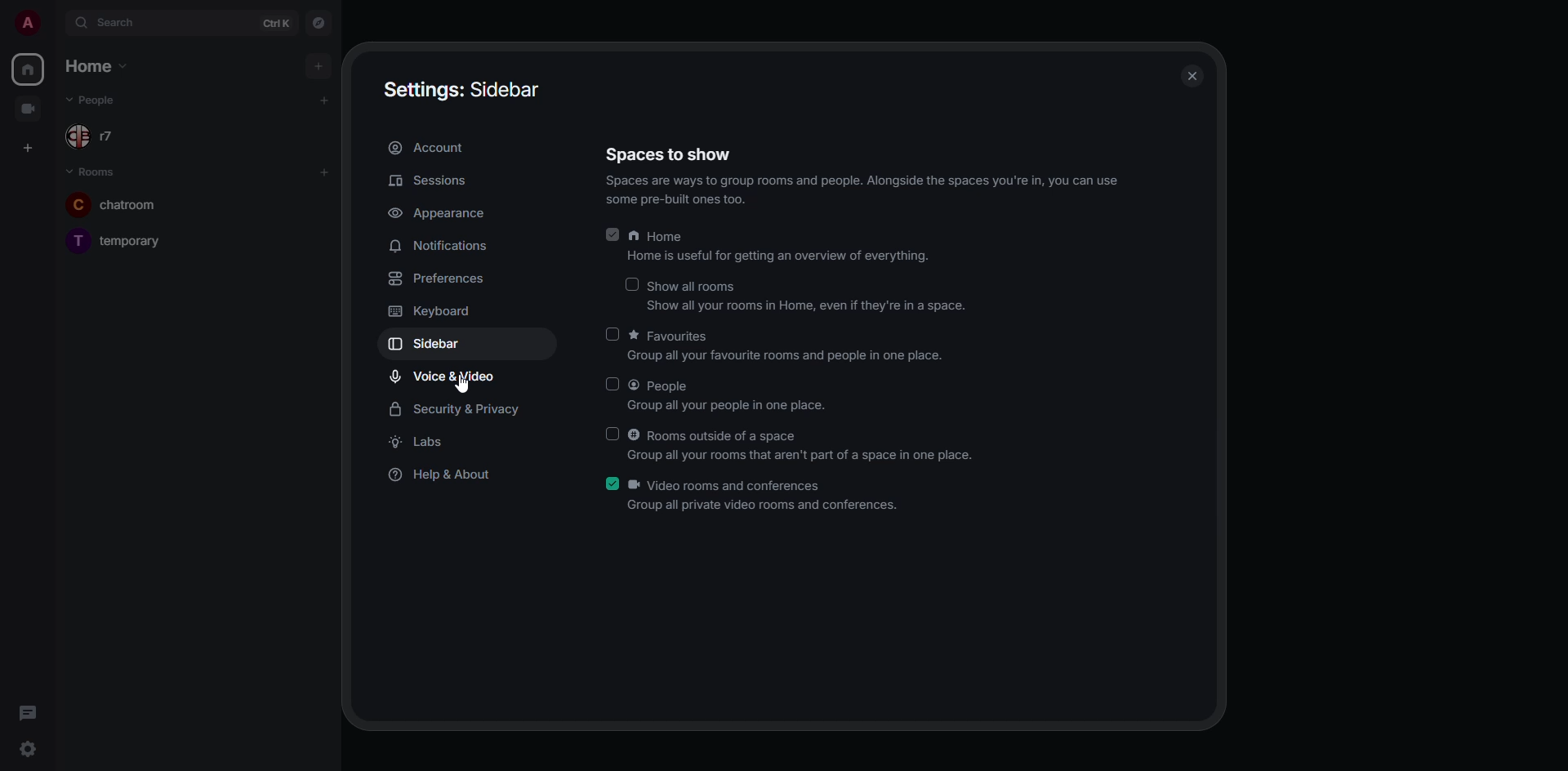 The height and width of the screenshot is (771, 1568). I want to click on home, so click(29, 67).